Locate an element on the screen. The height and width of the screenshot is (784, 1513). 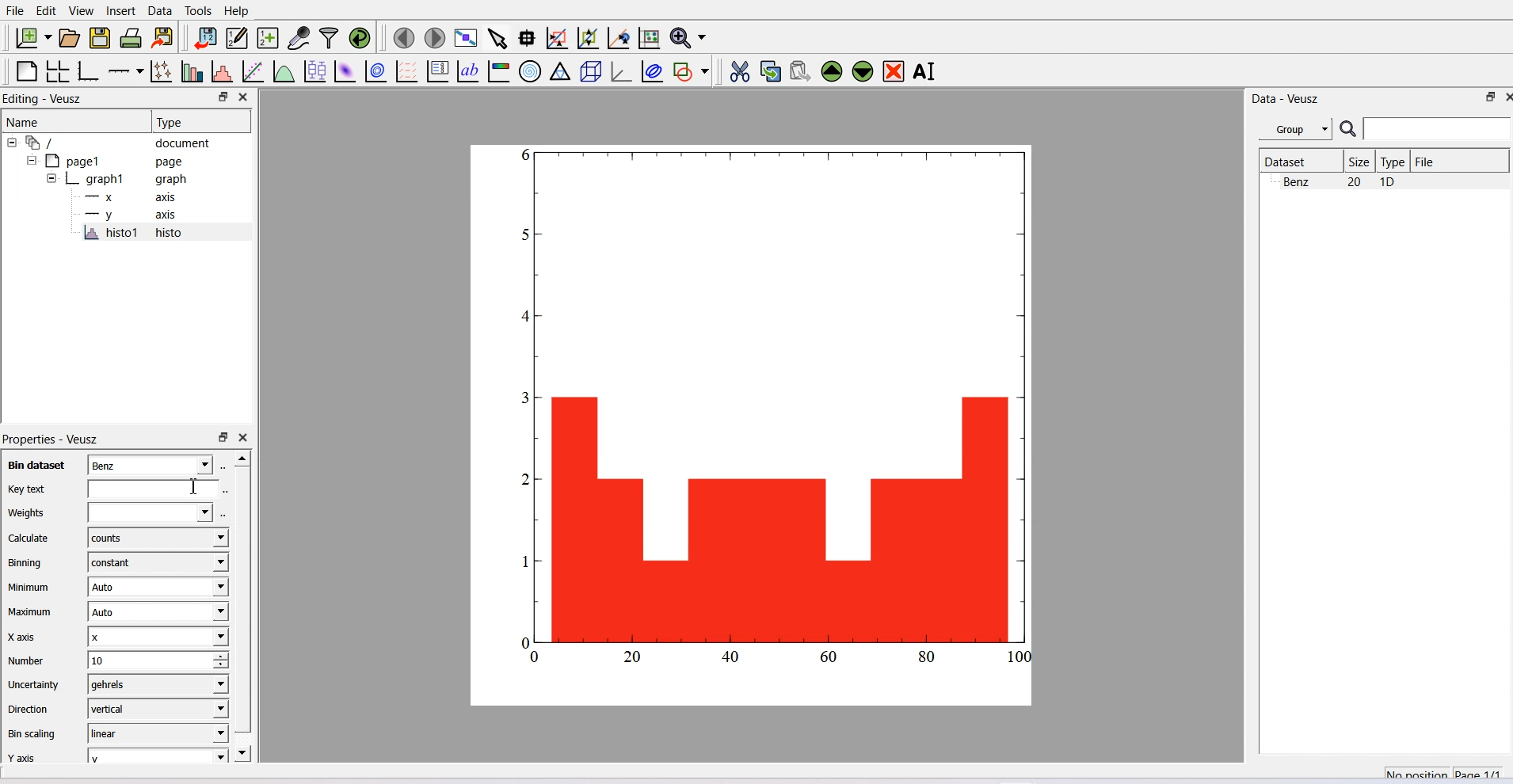
View plot full screen is located at coordinates (467, 39).